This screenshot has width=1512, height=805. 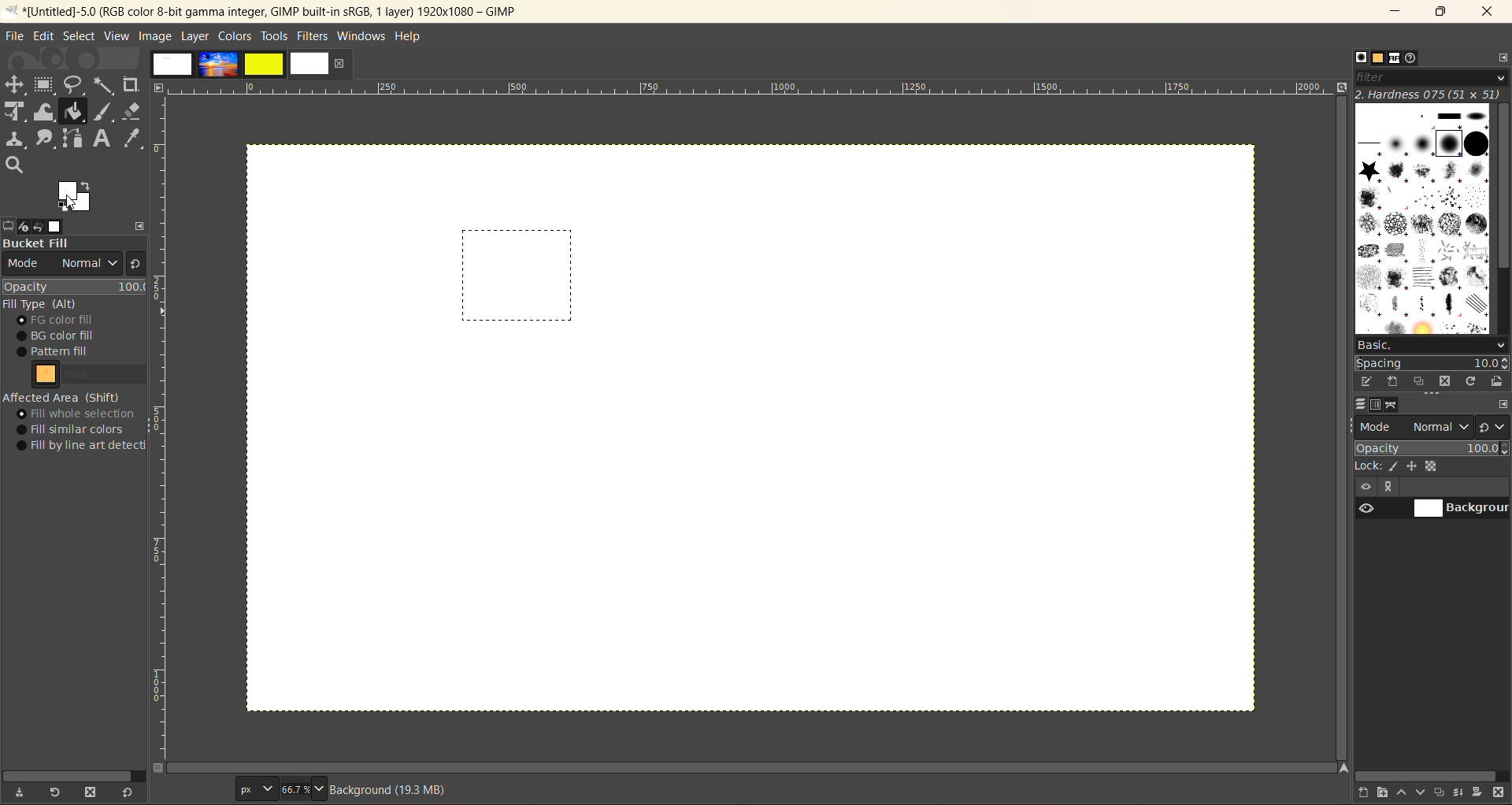 I want to click on file, so click(x=16, y=36).